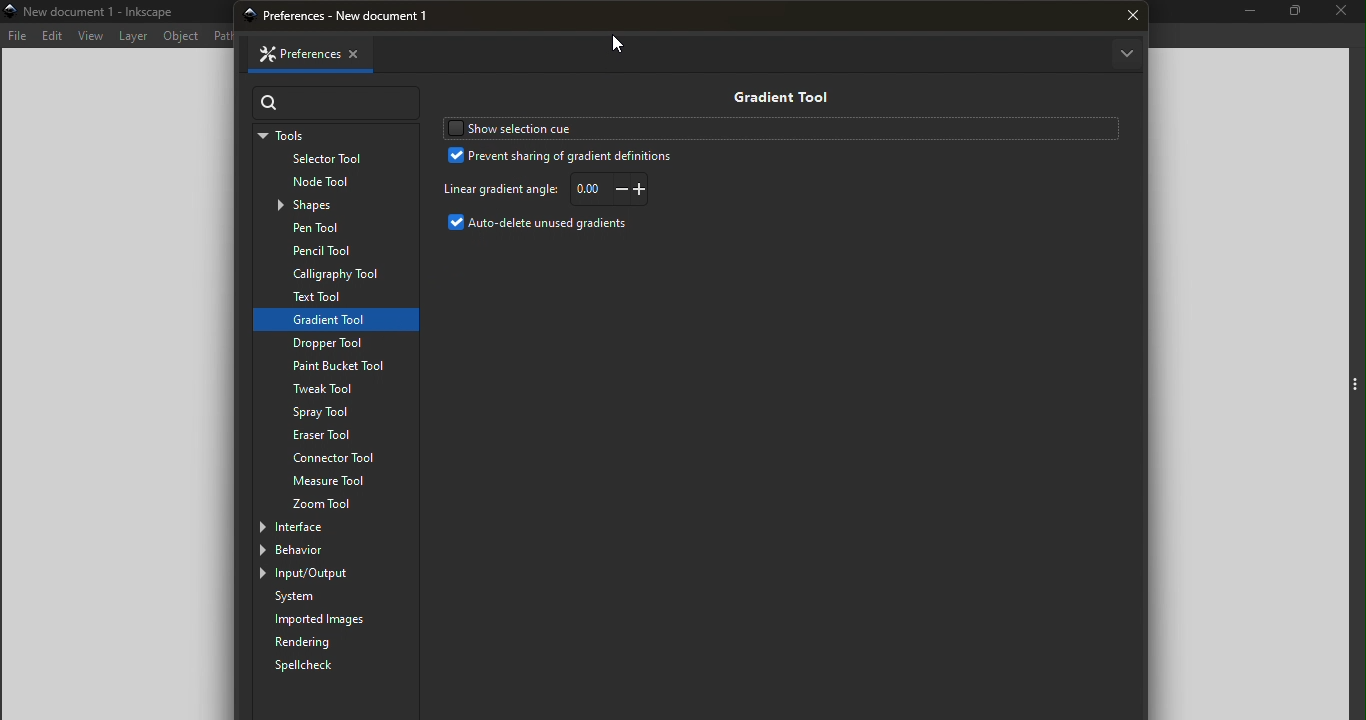 The image size is (1366, 720). I want to click on gradient tool, so click(333, 319).